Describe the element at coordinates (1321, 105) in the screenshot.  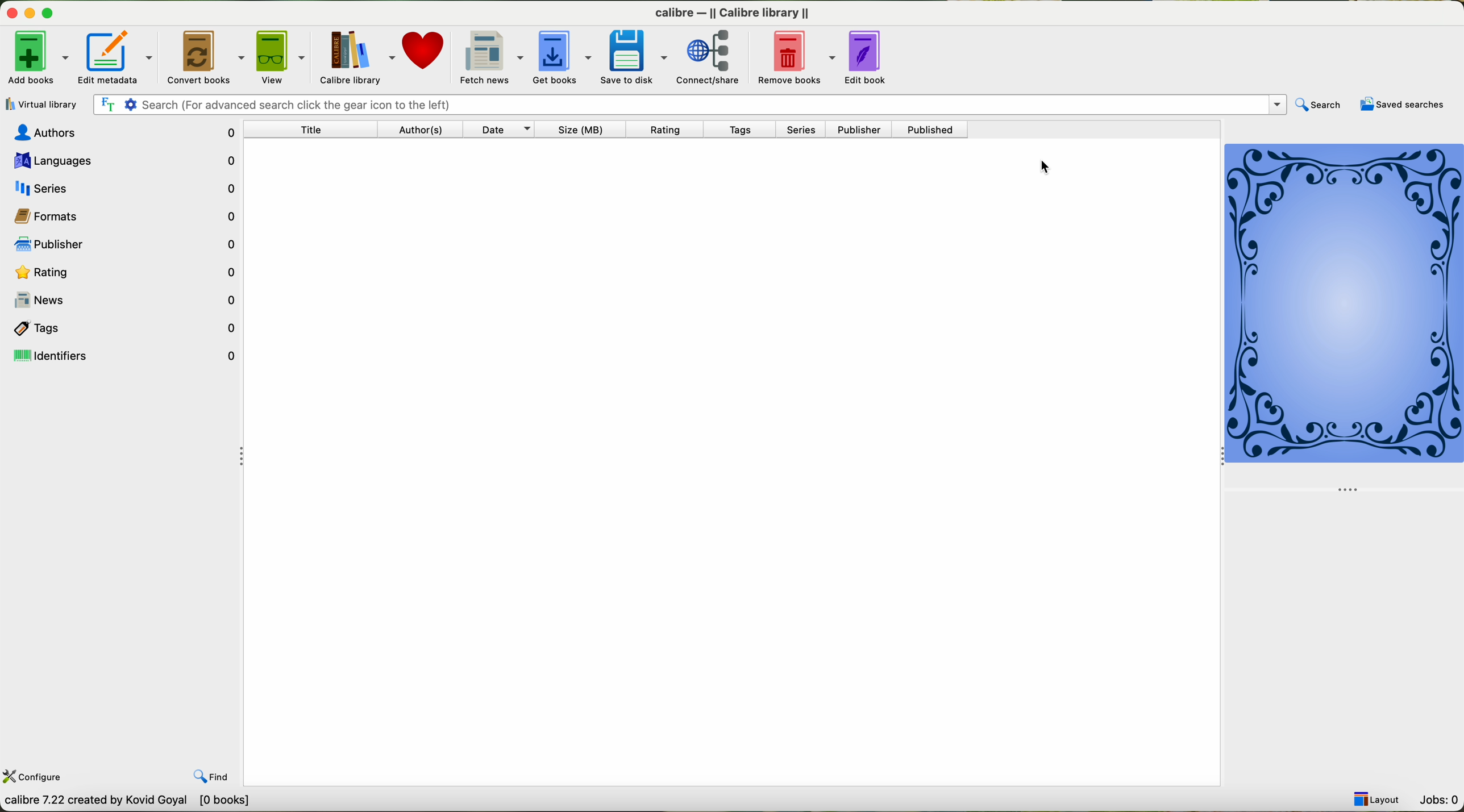
I see `search` at that location.